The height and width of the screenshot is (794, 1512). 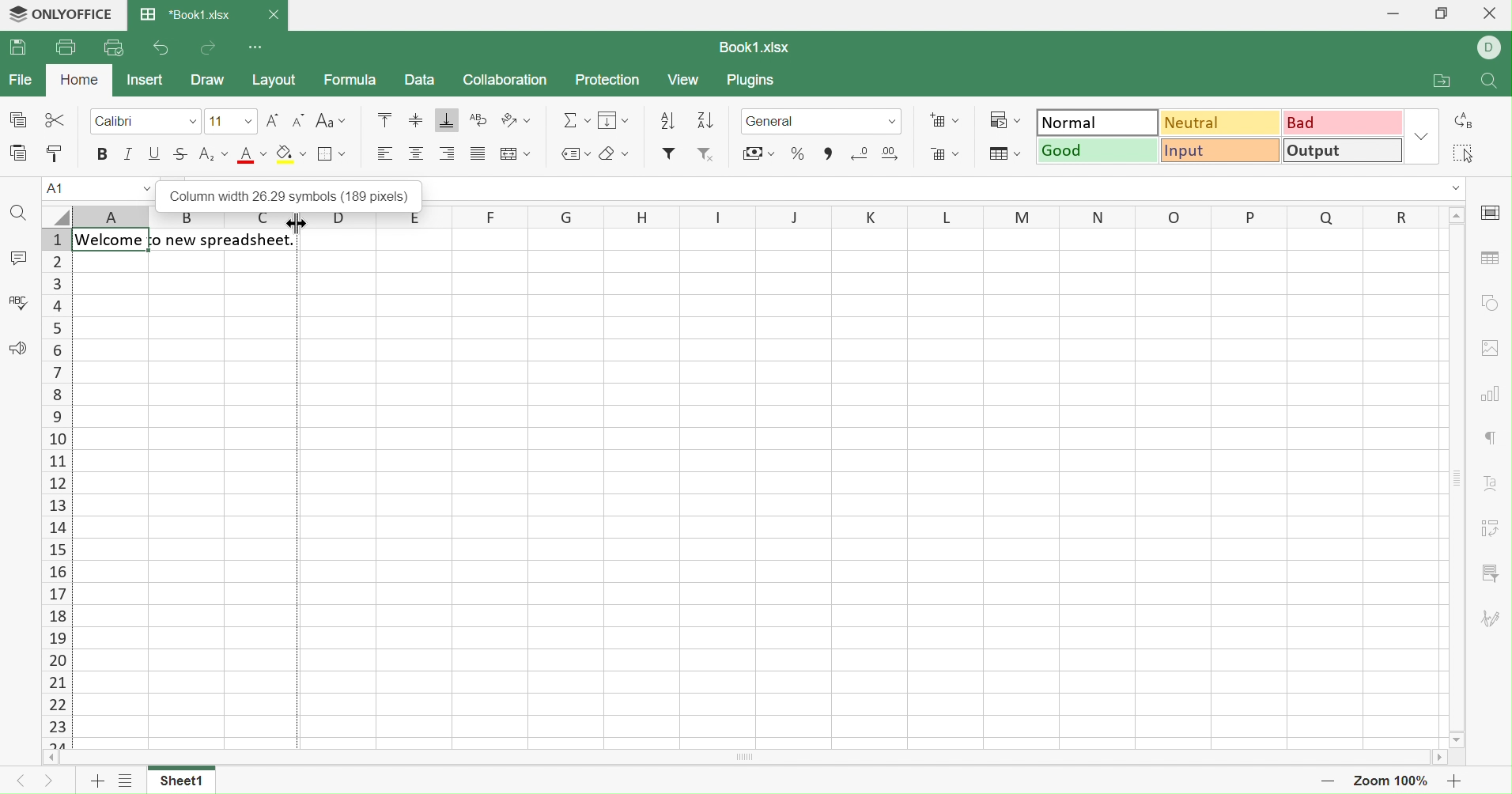 What do you see at coordinates (704, 122) in the screenshot?
I see `Descending order` at bounding box center [704, 122].